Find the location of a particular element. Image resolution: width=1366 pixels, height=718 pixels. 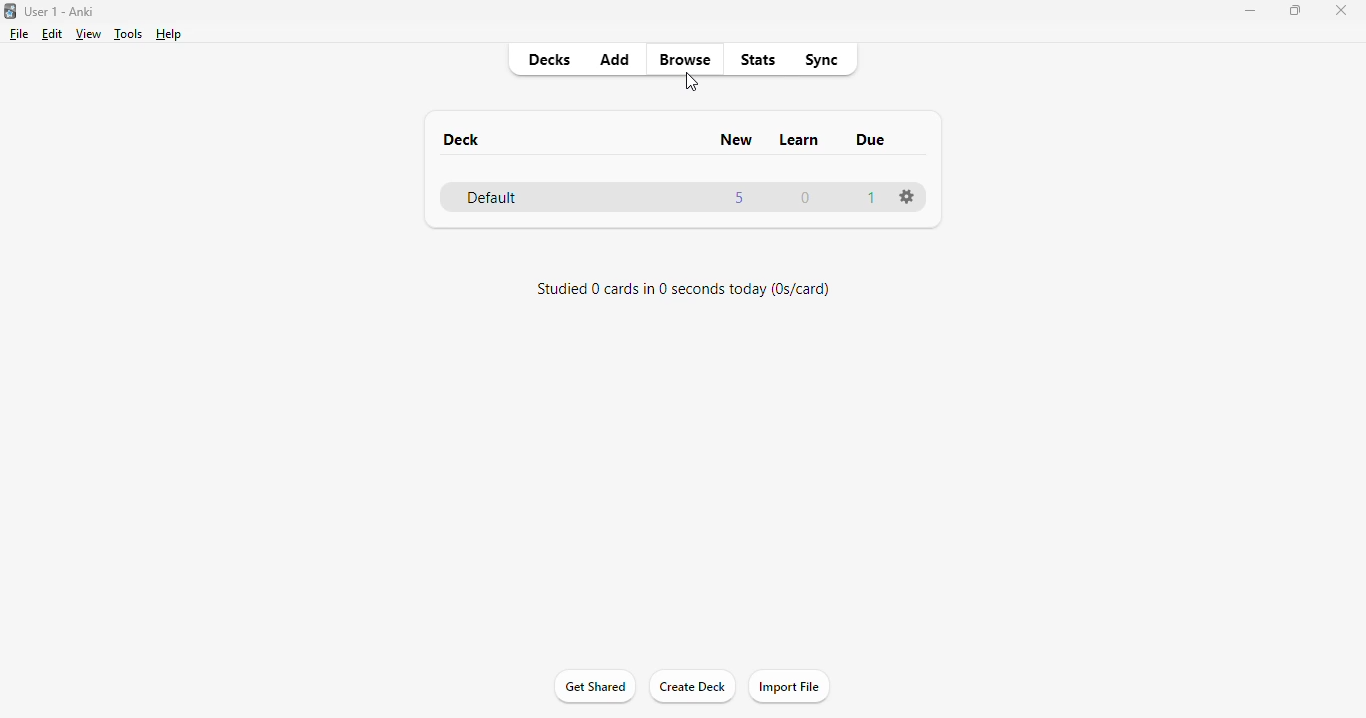

User 1 - Anki is located at coordinates (59, 11).